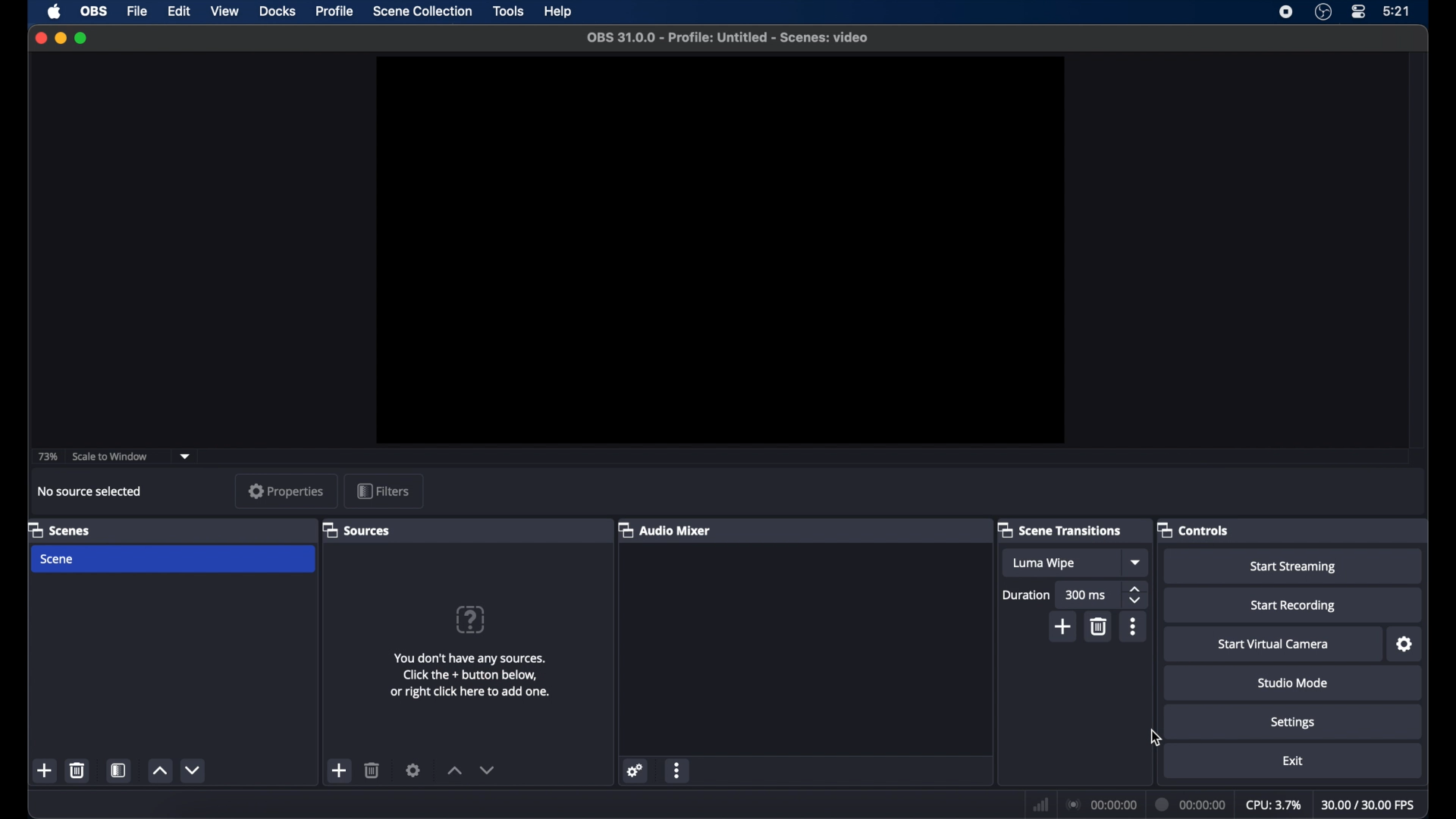  What do you see at coordinates (414, 770) in the screenshot?
I see `settings` at bounding box center [414, 770].